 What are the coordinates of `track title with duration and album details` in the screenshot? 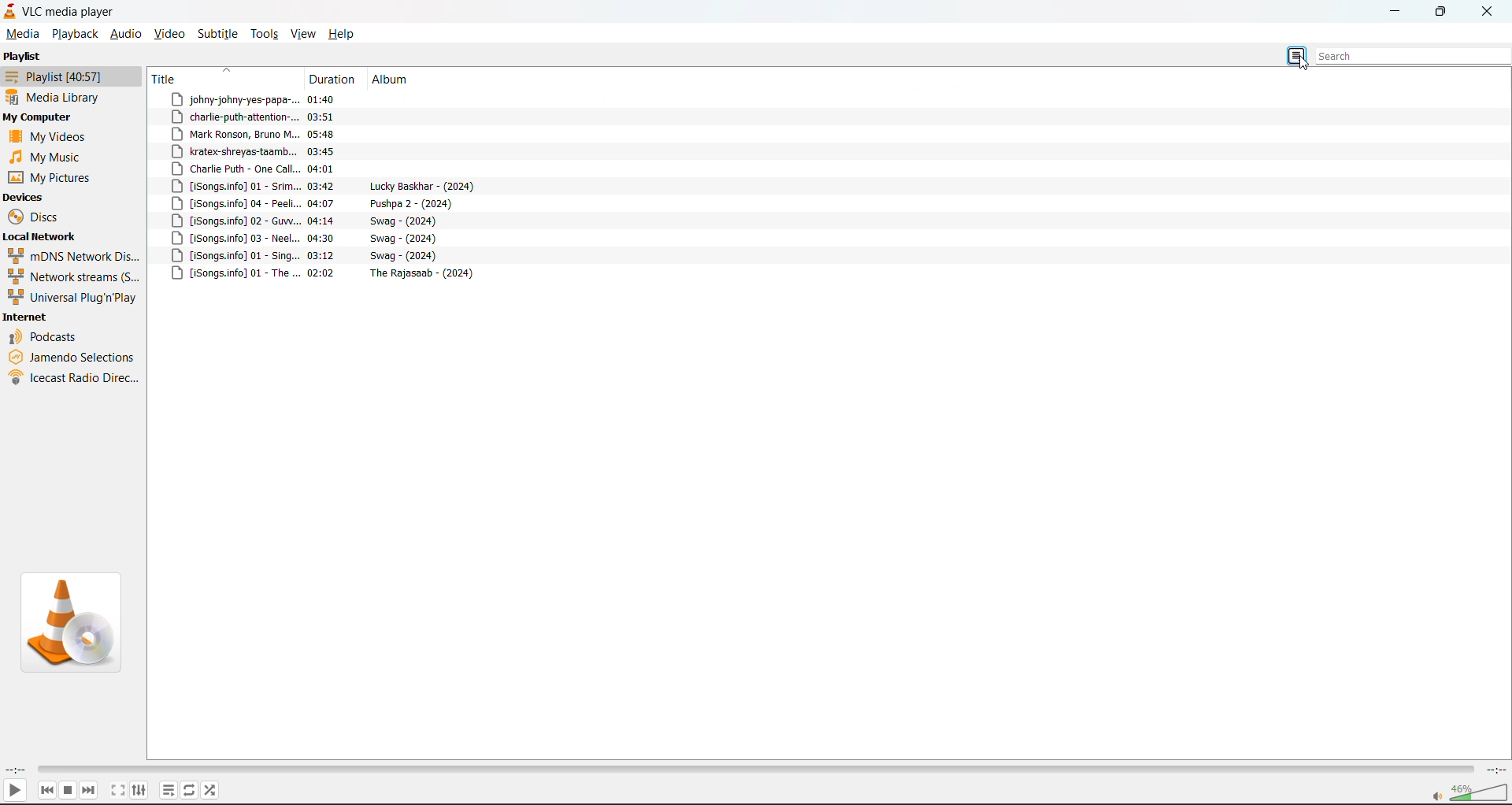 It's located at (311, 255).